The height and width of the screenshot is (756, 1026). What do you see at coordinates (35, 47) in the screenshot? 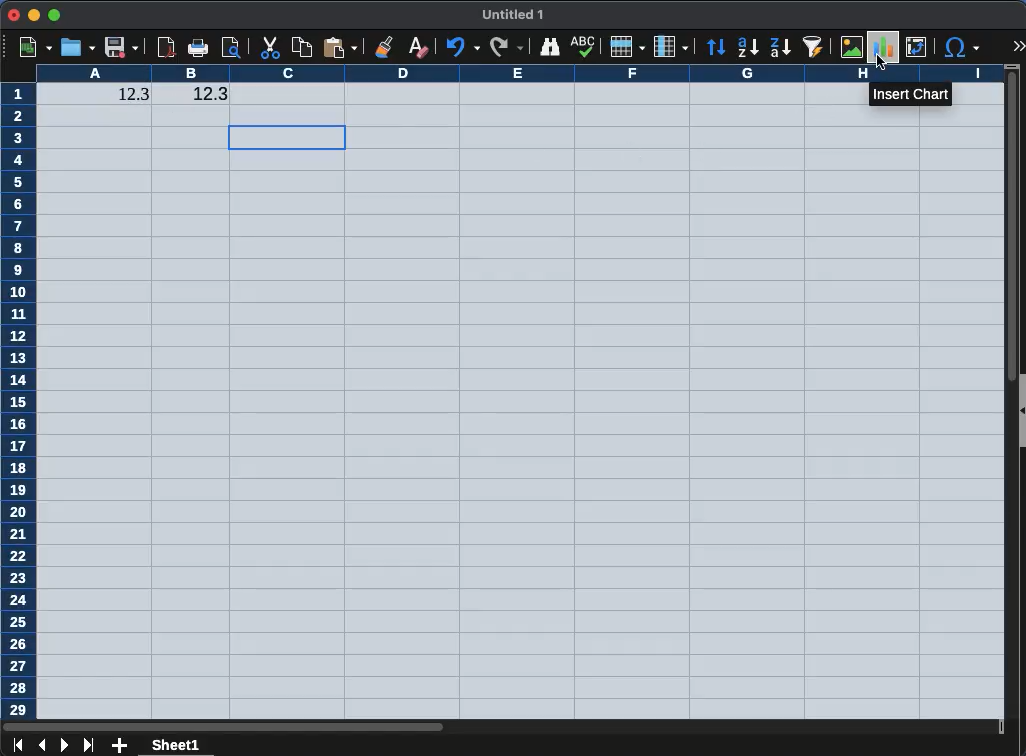
I see `new` at bounding box center [35, 47].